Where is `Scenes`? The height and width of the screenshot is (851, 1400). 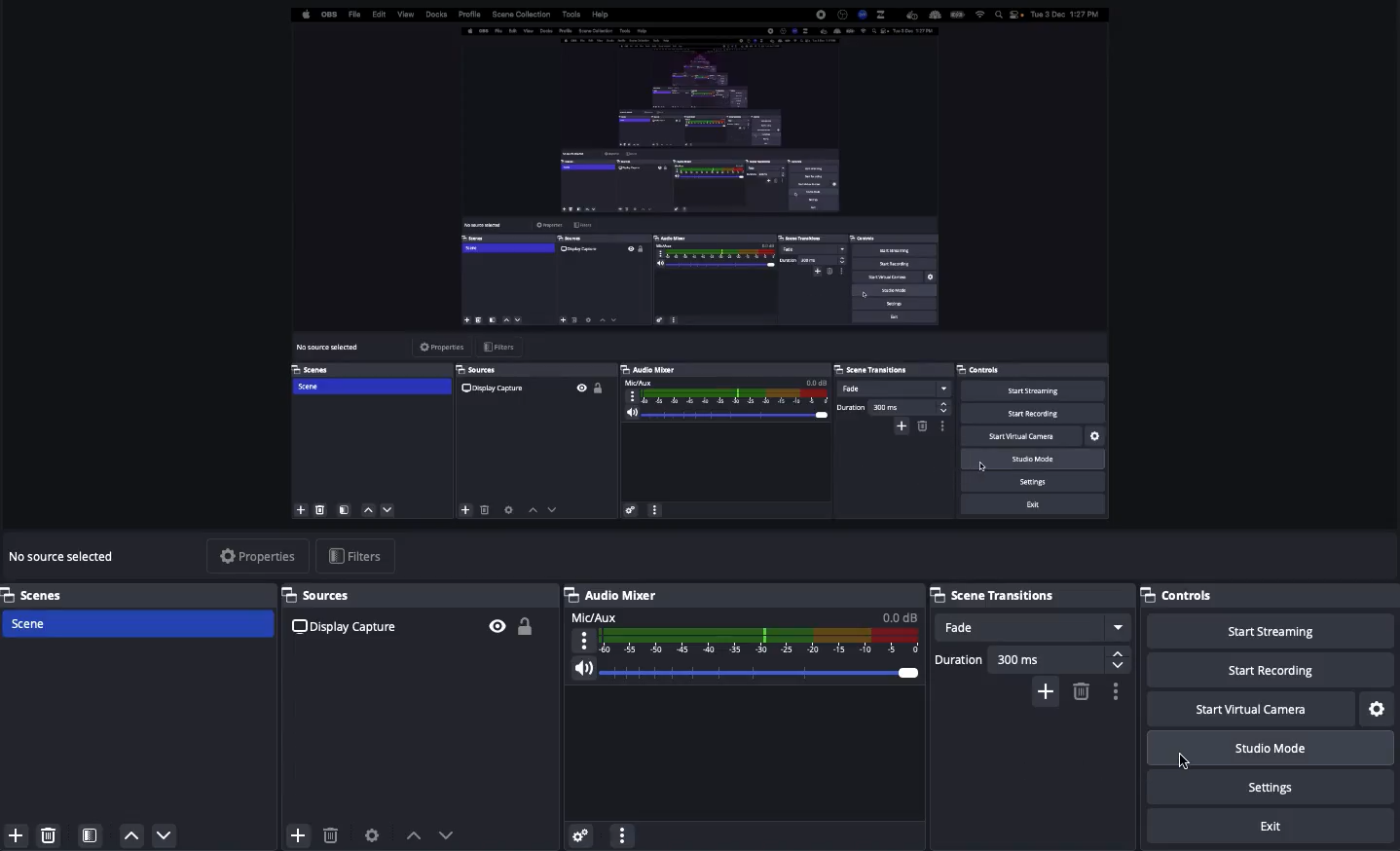 Scenes is located at coordinates (135, 622).